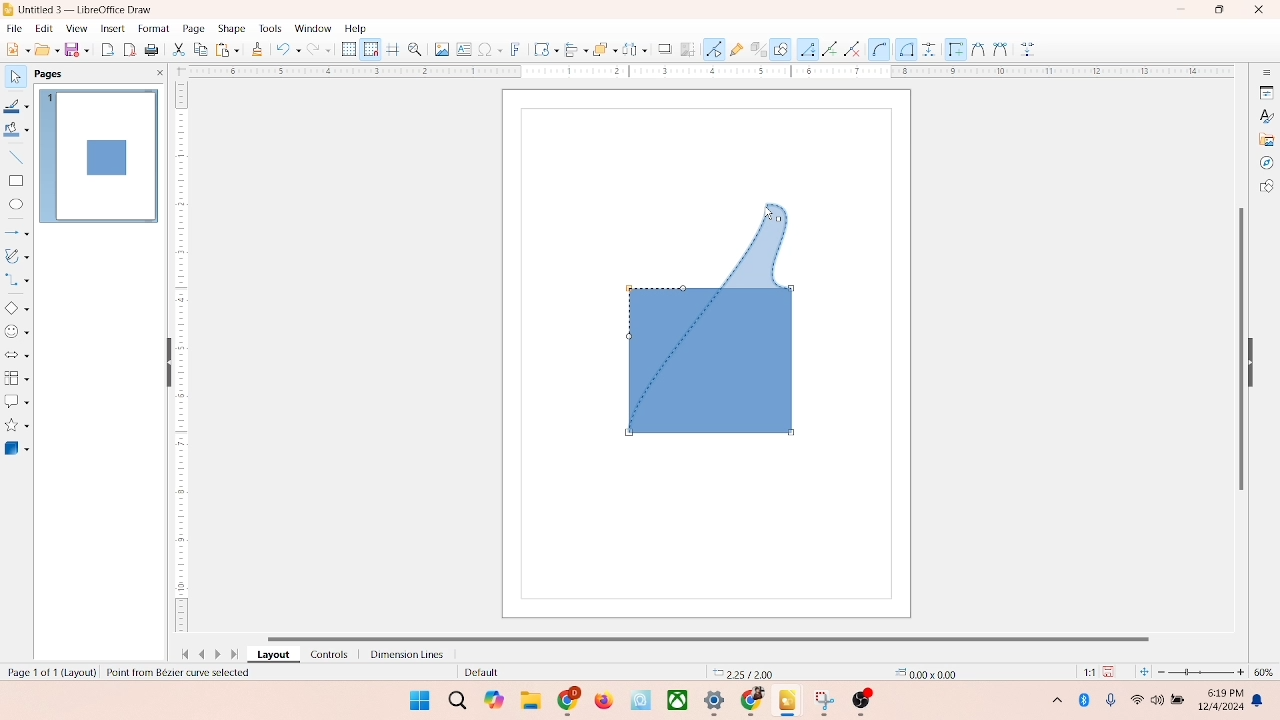 This screenshot has height=720, width=1280. I want to click on redo, so click(323, 51).